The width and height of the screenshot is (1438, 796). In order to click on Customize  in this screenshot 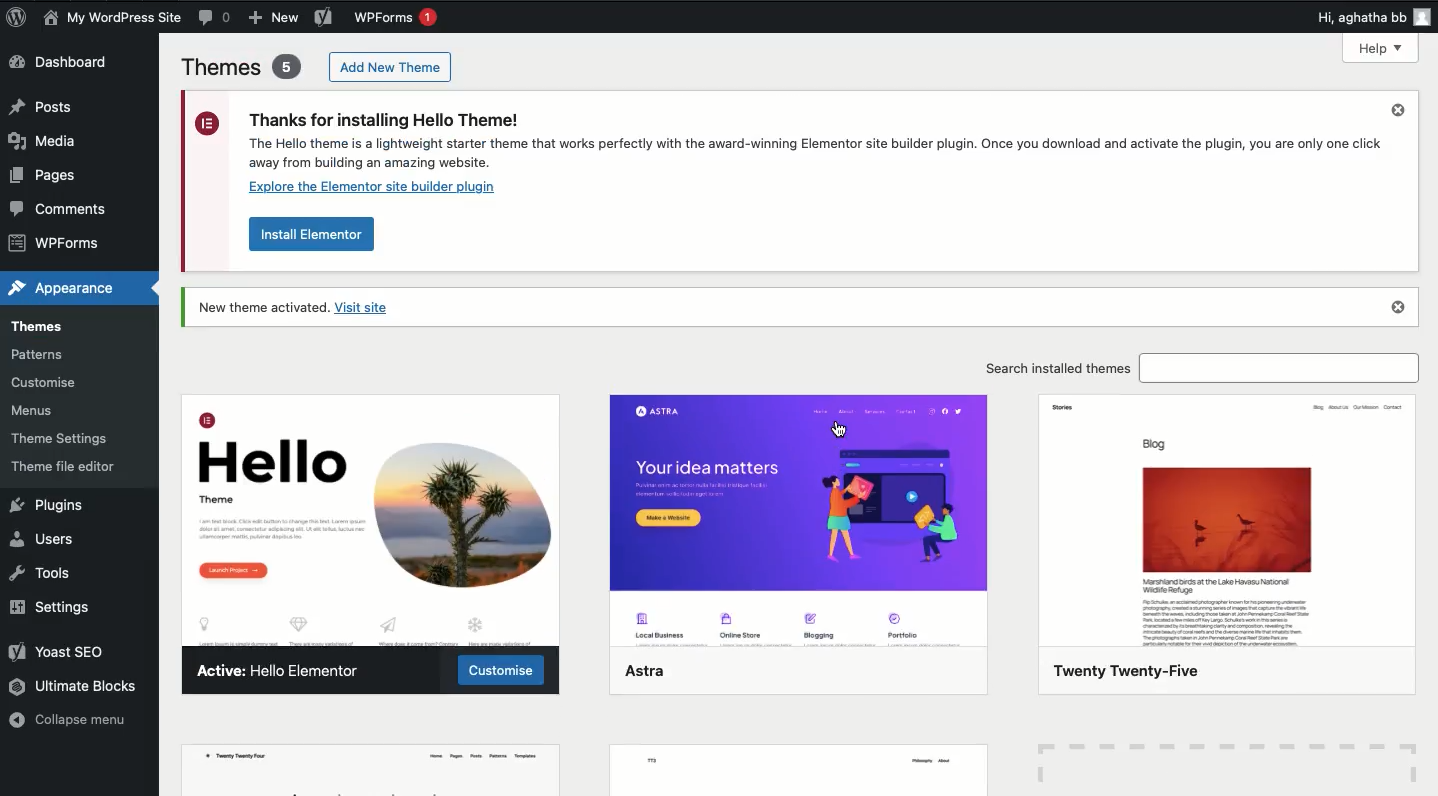, I will do `click(504, 669)`.